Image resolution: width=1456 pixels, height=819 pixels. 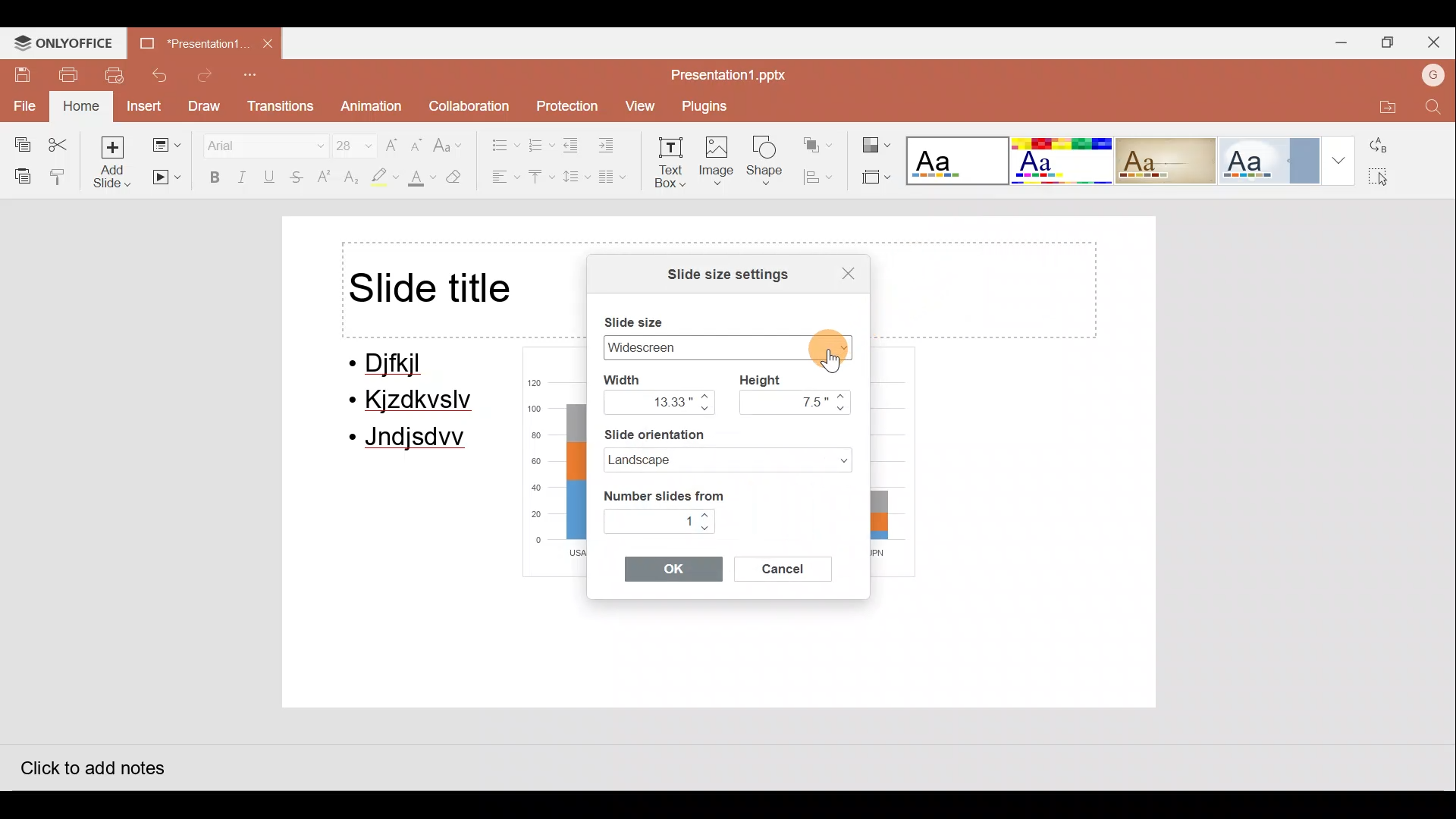 I want to click on Theme 2, so click(x=1065, y=161).